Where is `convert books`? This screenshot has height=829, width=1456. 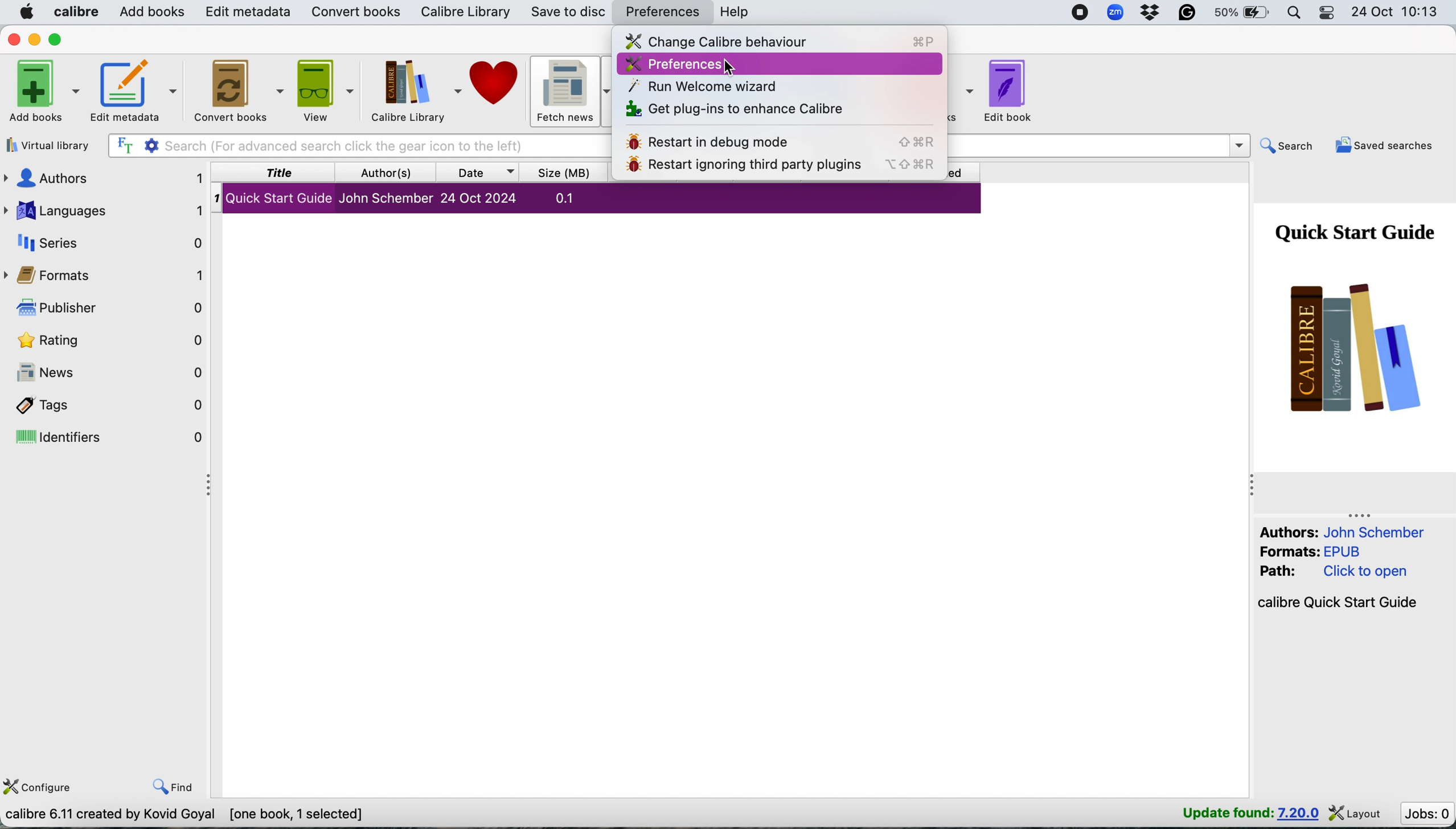 convert books is located at coordinates (352, 13).